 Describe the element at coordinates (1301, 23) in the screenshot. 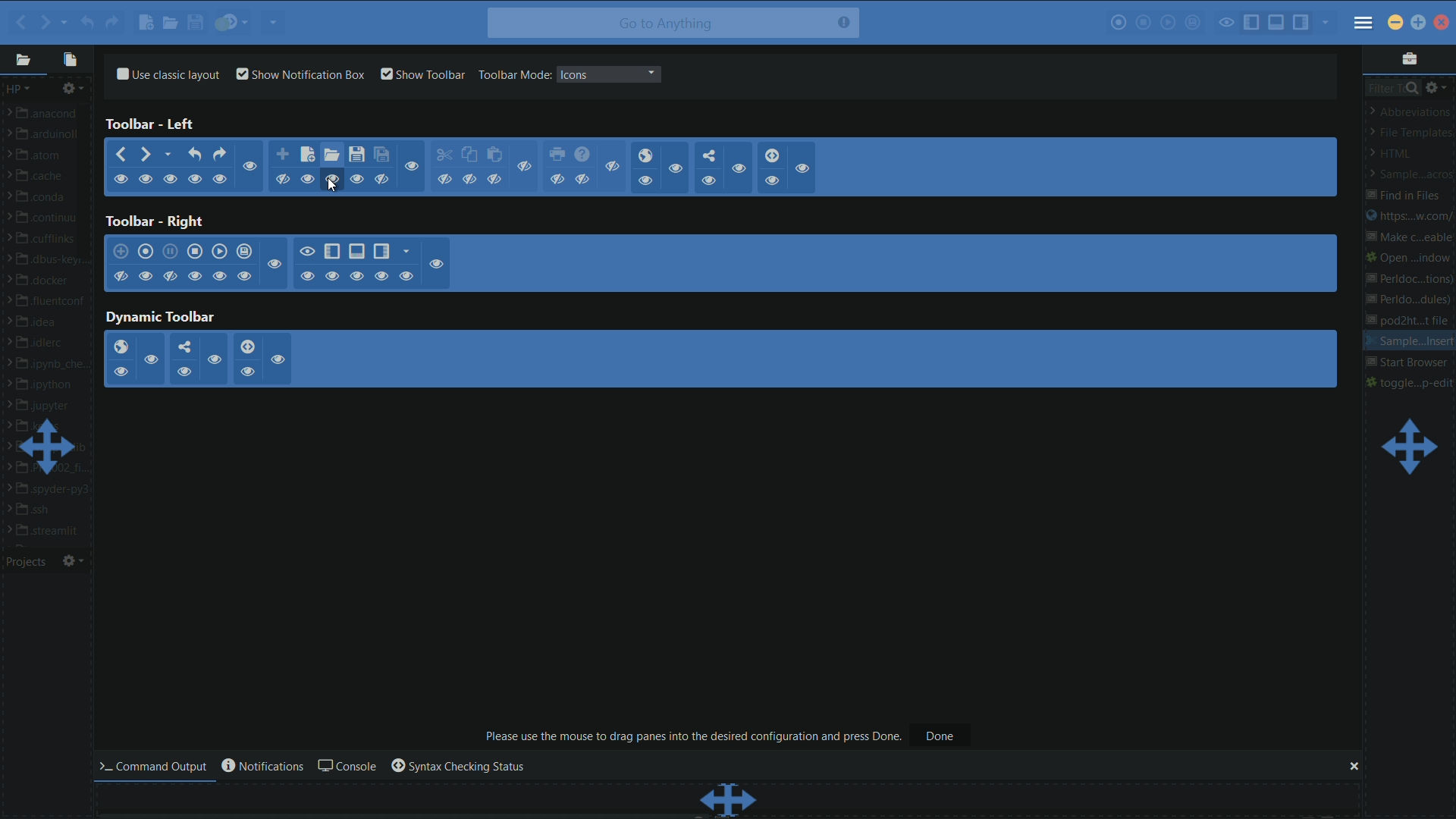

I see `show/hide right pane` at that location.